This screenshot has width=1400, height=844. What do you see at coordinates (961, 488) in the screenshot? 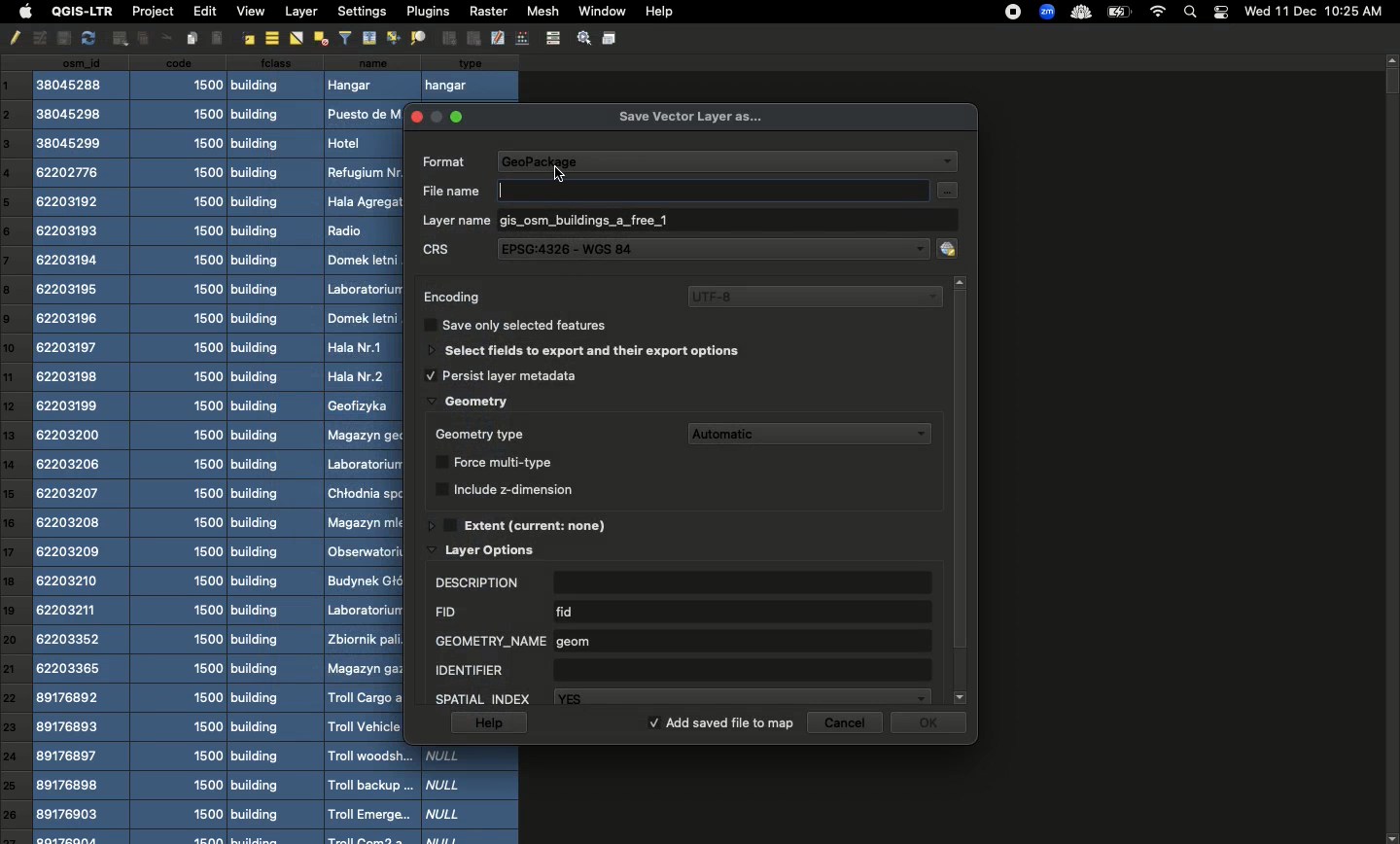
I see `Scroll` at bounding box center [961, 488].